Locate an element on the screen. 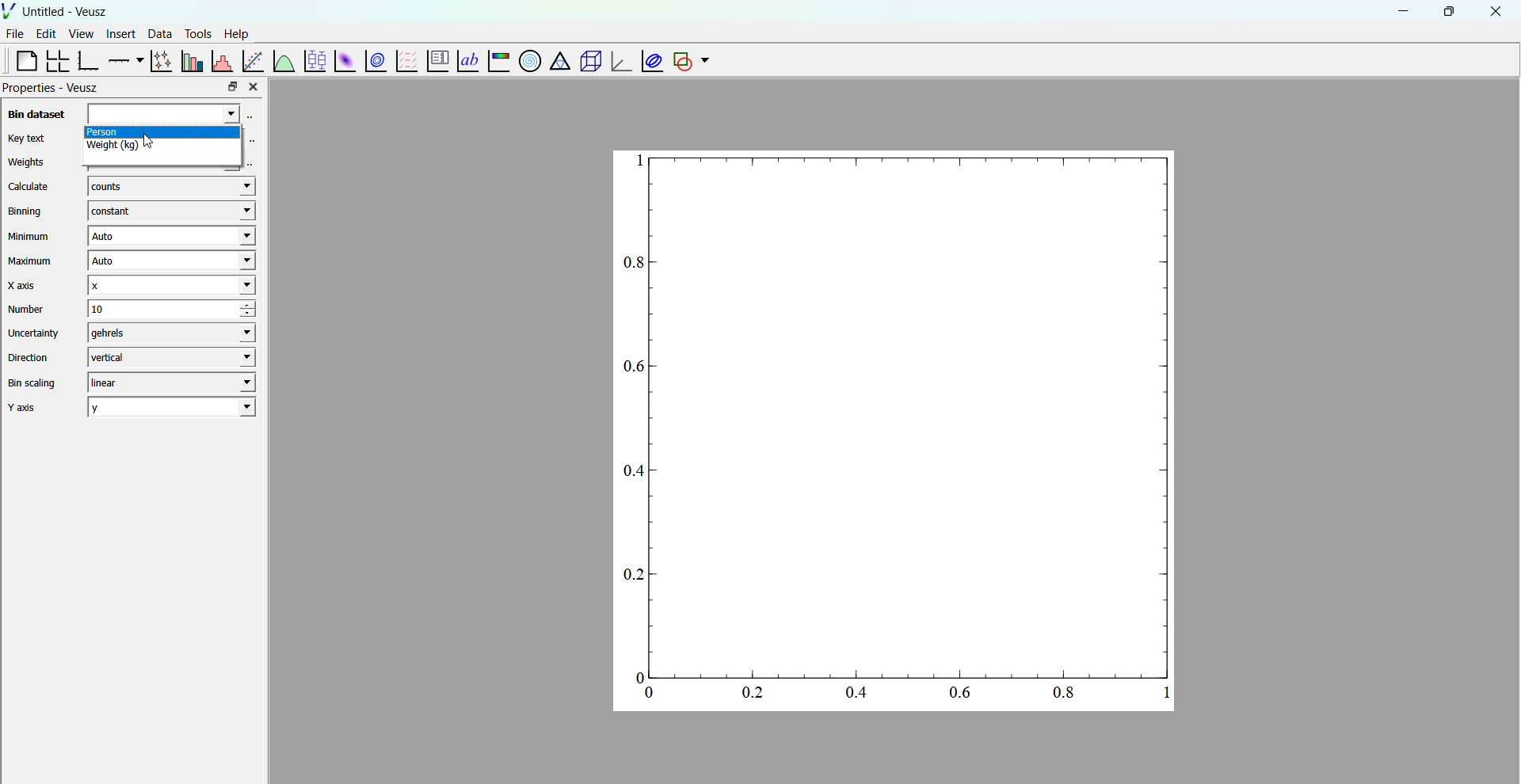  0.4 is located at coordinates (634, 470).